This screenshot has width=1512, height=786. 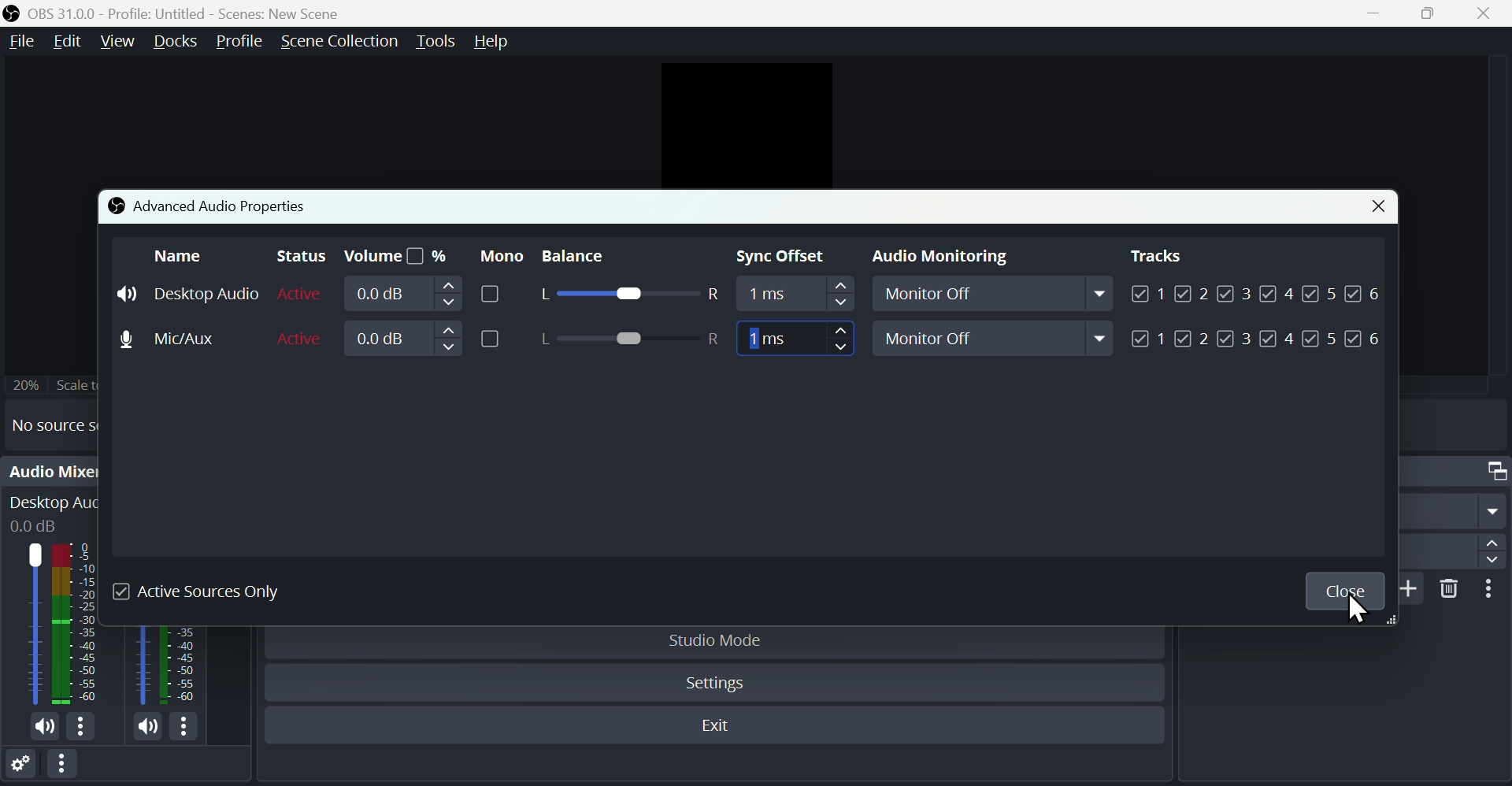 I want to click on (un)check Track 2, so click(x=1192, y=292).